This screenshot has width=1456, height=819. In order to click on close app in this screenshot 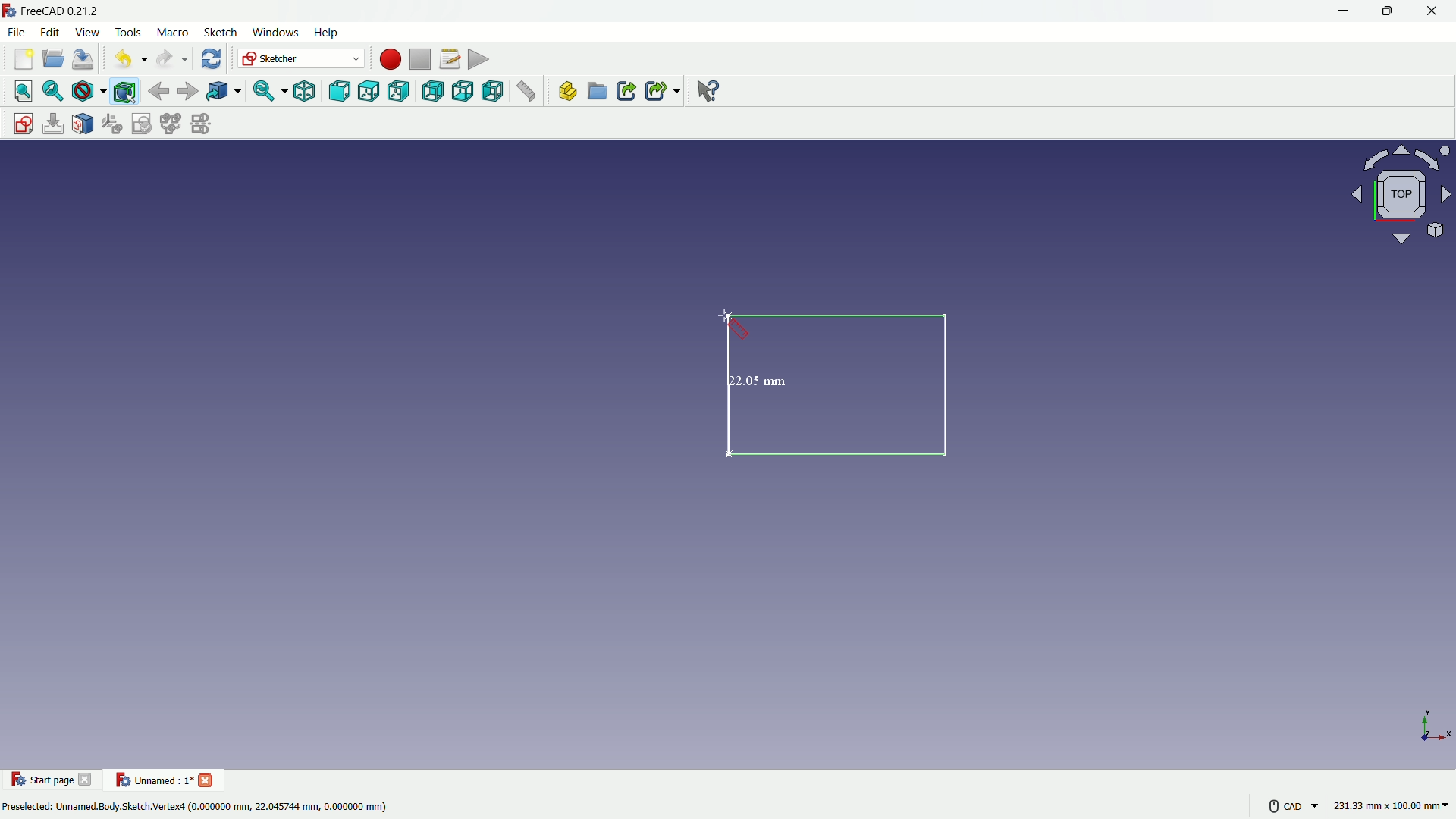, I will do `click(1436, 11)`.